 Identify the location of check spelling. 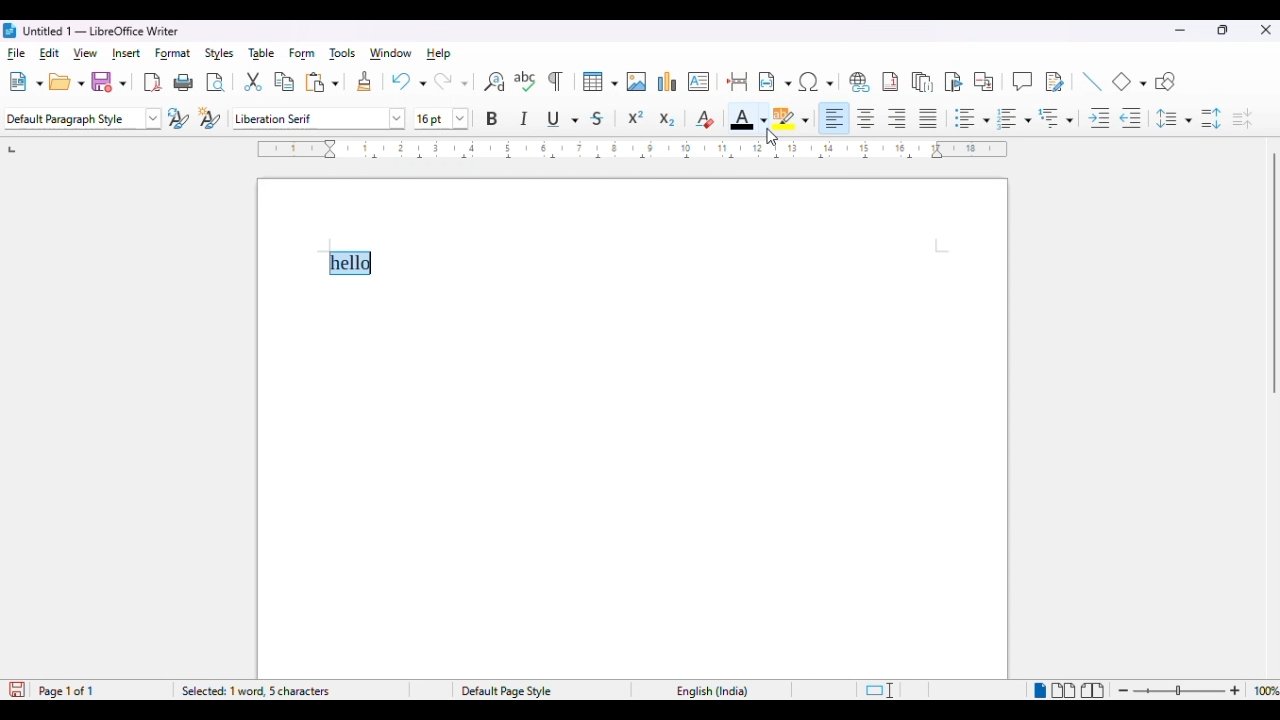
(526, 81).